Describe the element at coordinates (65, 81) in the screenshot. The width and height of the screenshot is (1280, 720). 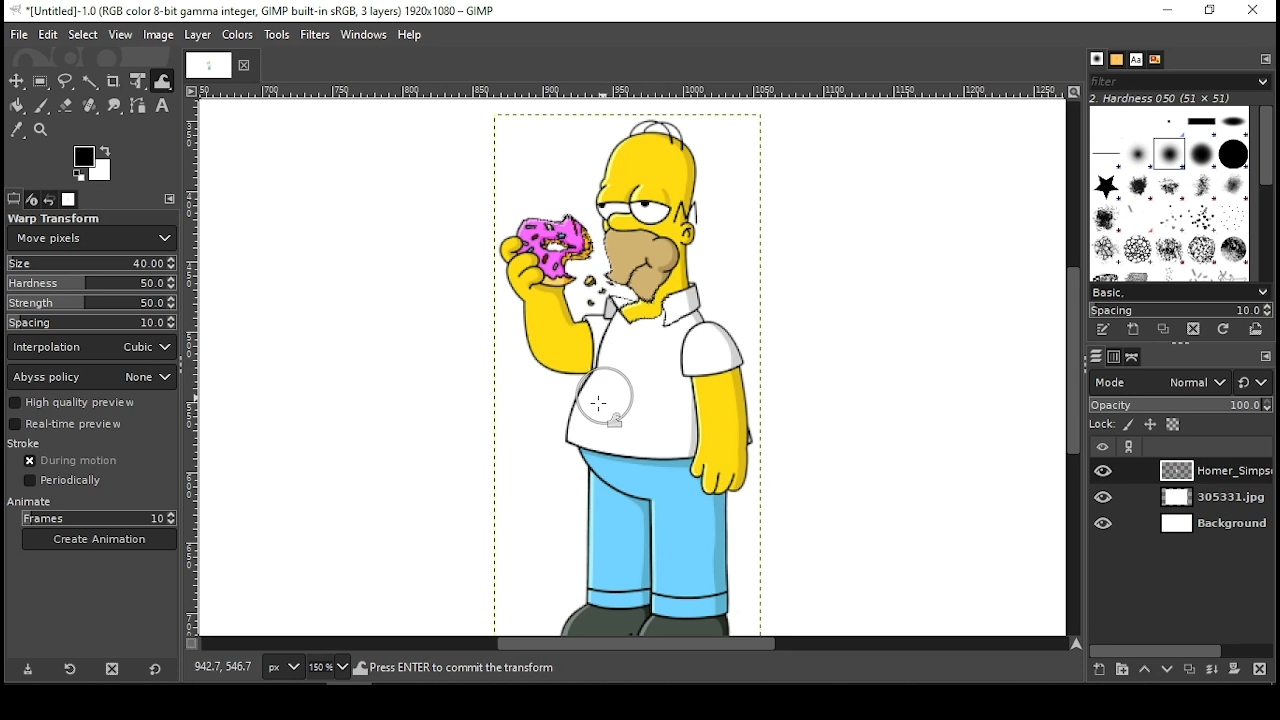
I see `freehand select tool` at that location.